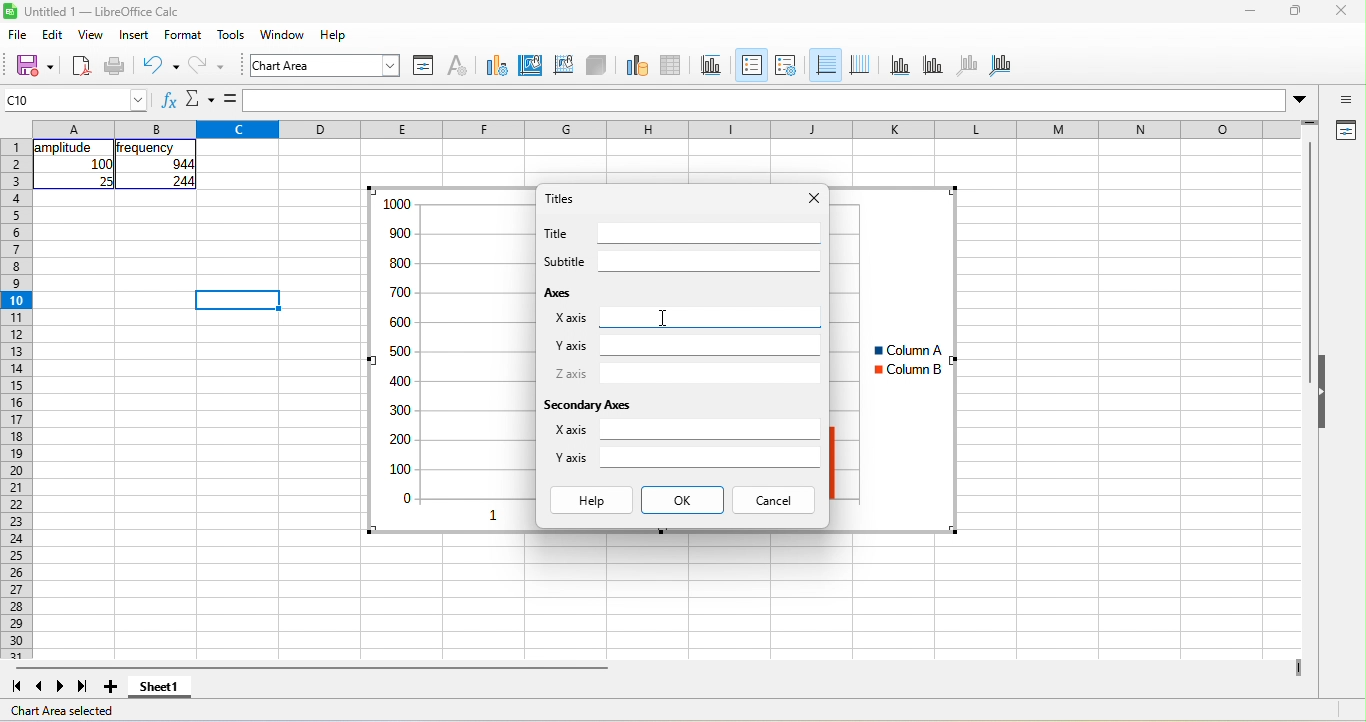 Image resolution: width=1366 pixels, height=722 pixels. Describe the element at coordinates (531, 66) in the screenshot. I see `chart area ` at that location.